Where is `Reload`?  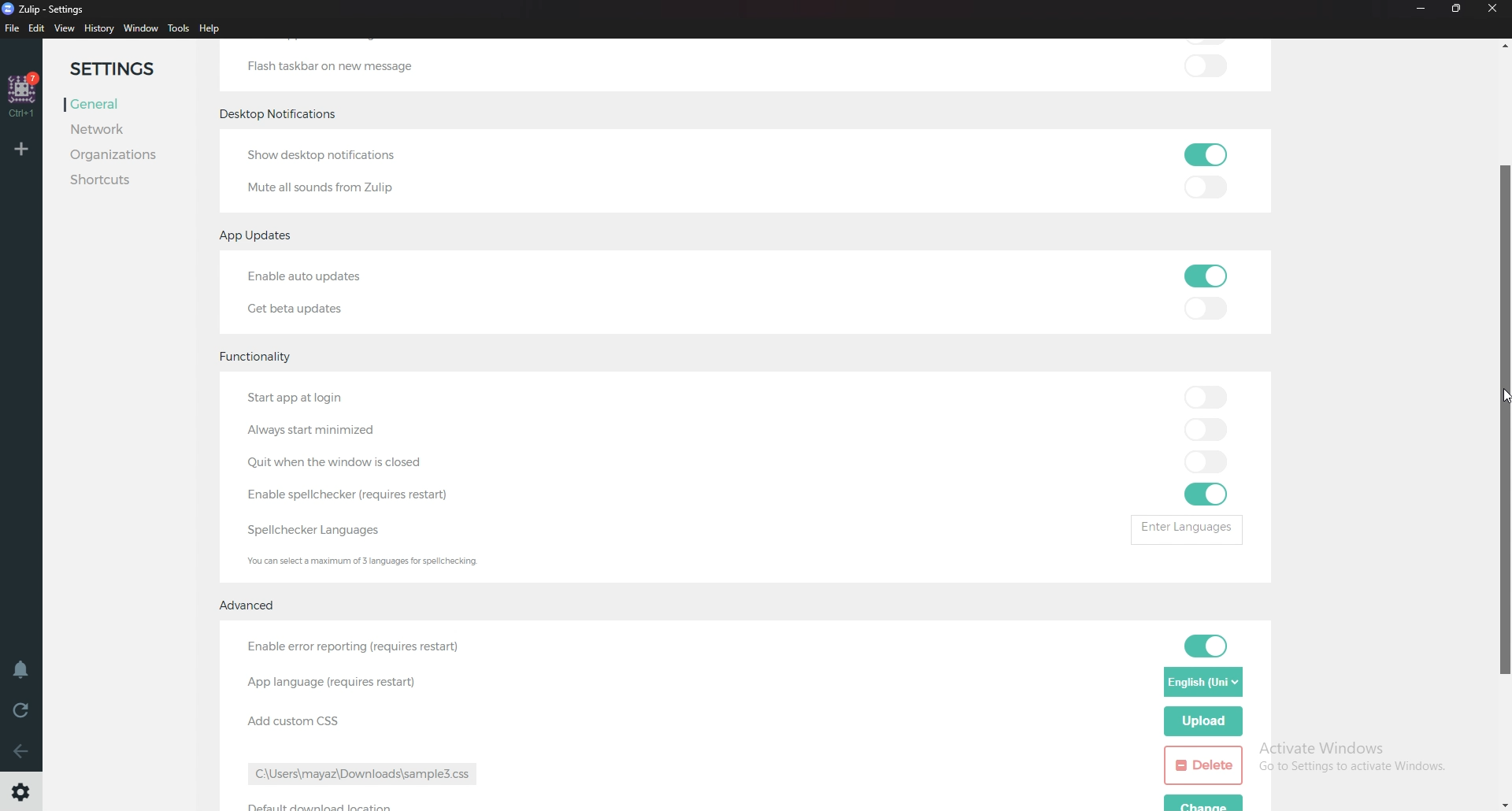 Reload is located at coordinates (22, 713).